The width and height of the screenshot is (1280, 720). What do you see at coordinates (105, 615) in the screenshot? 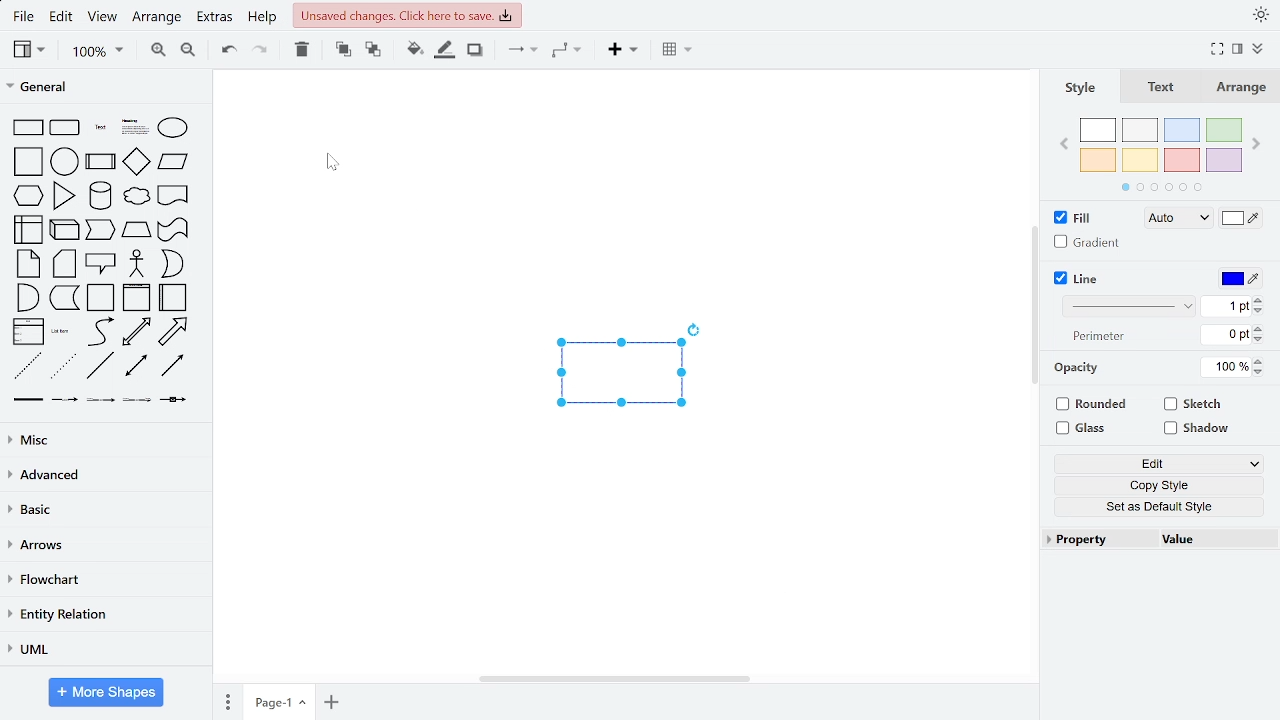
I see `entity relation` at bounding box center [105, 615].